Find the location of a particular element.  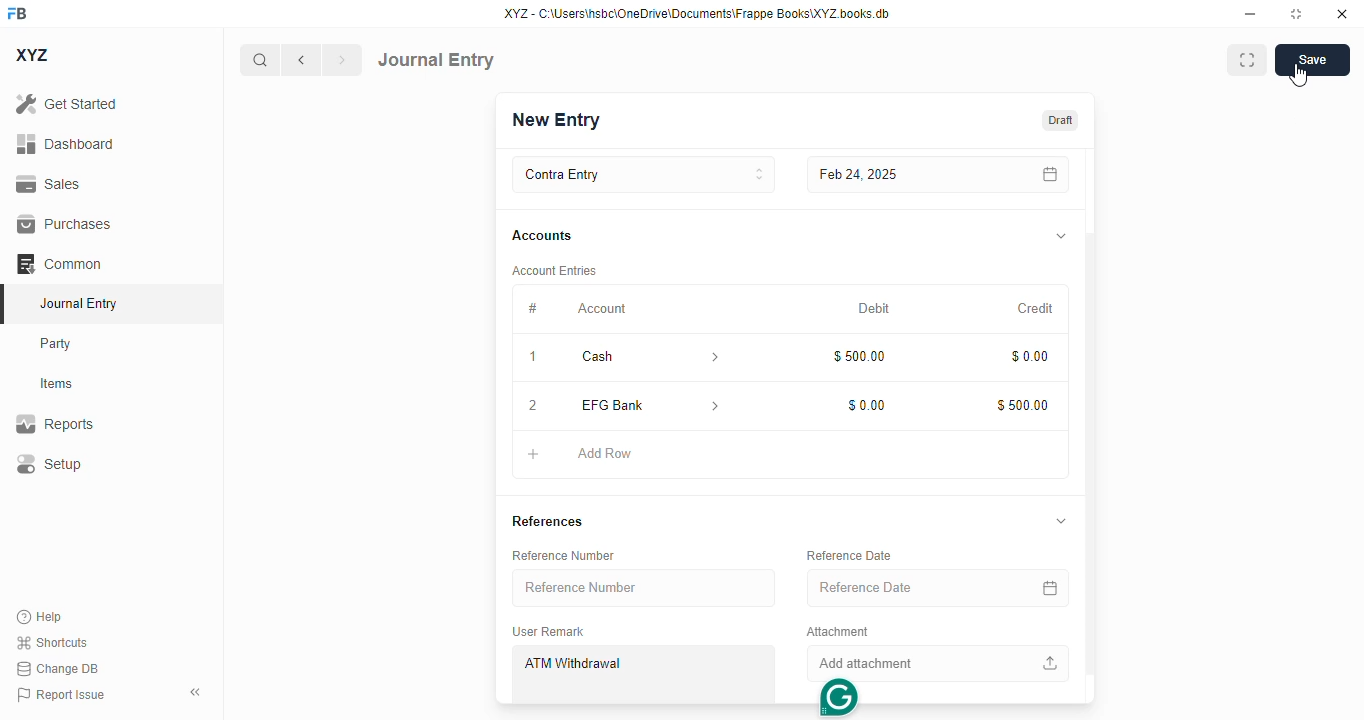

contra entry  is located at coordinates (643, 175).